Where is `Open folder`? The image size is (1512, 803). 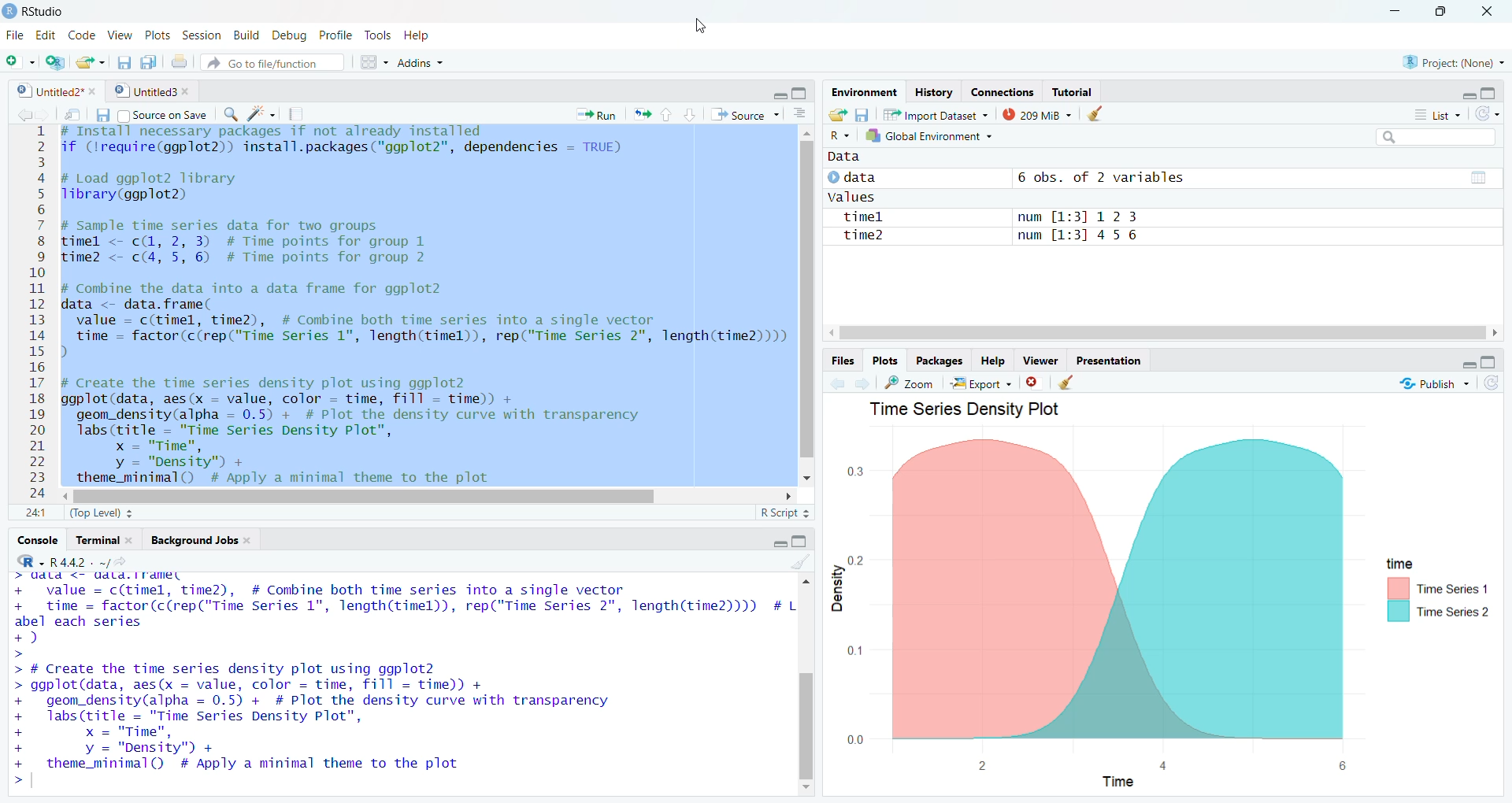 Open folder is located at coordinates (836, 115).